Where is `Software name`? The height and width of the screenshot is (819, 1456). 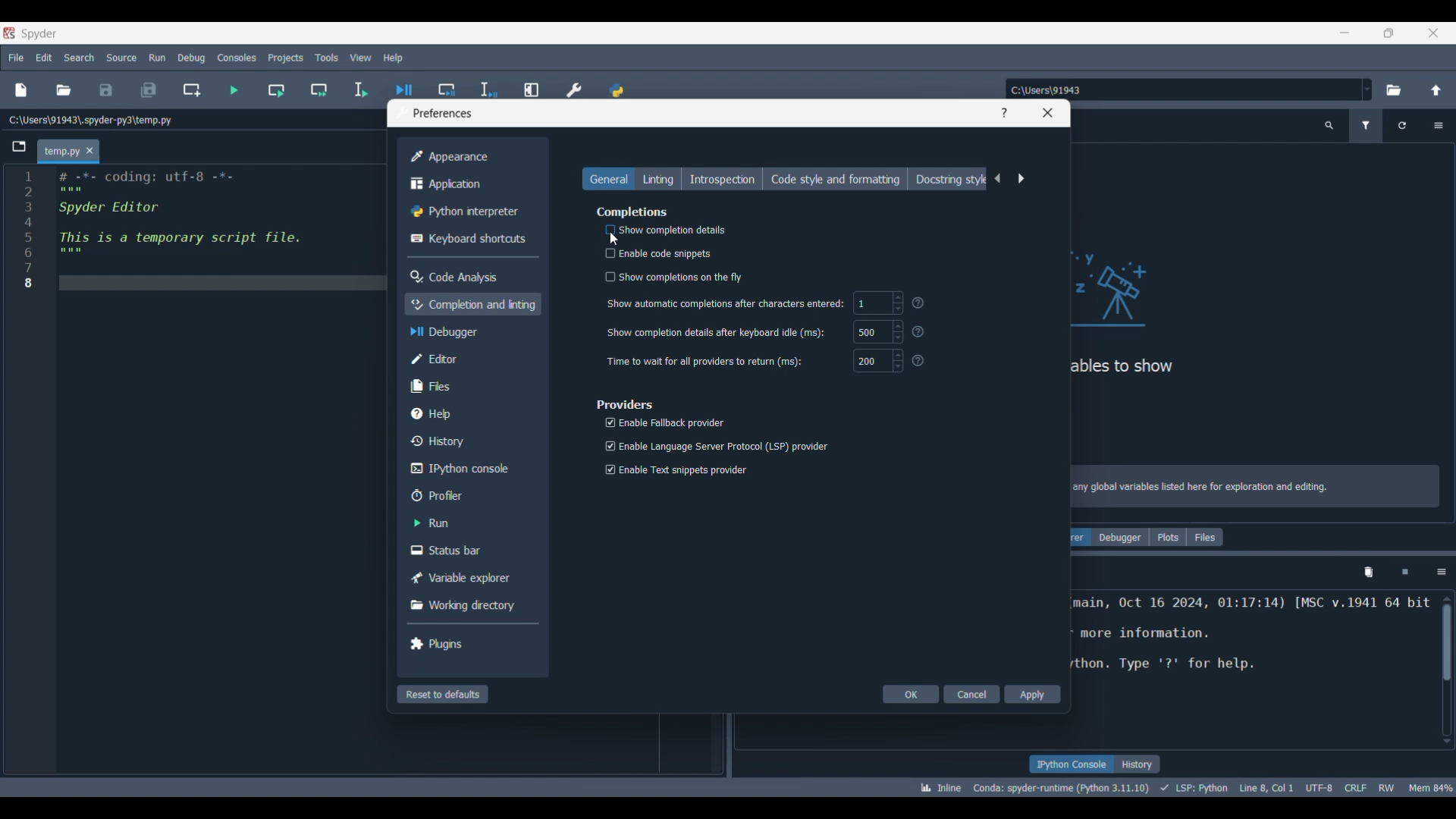
Software name is located at coordinates (39, 34).